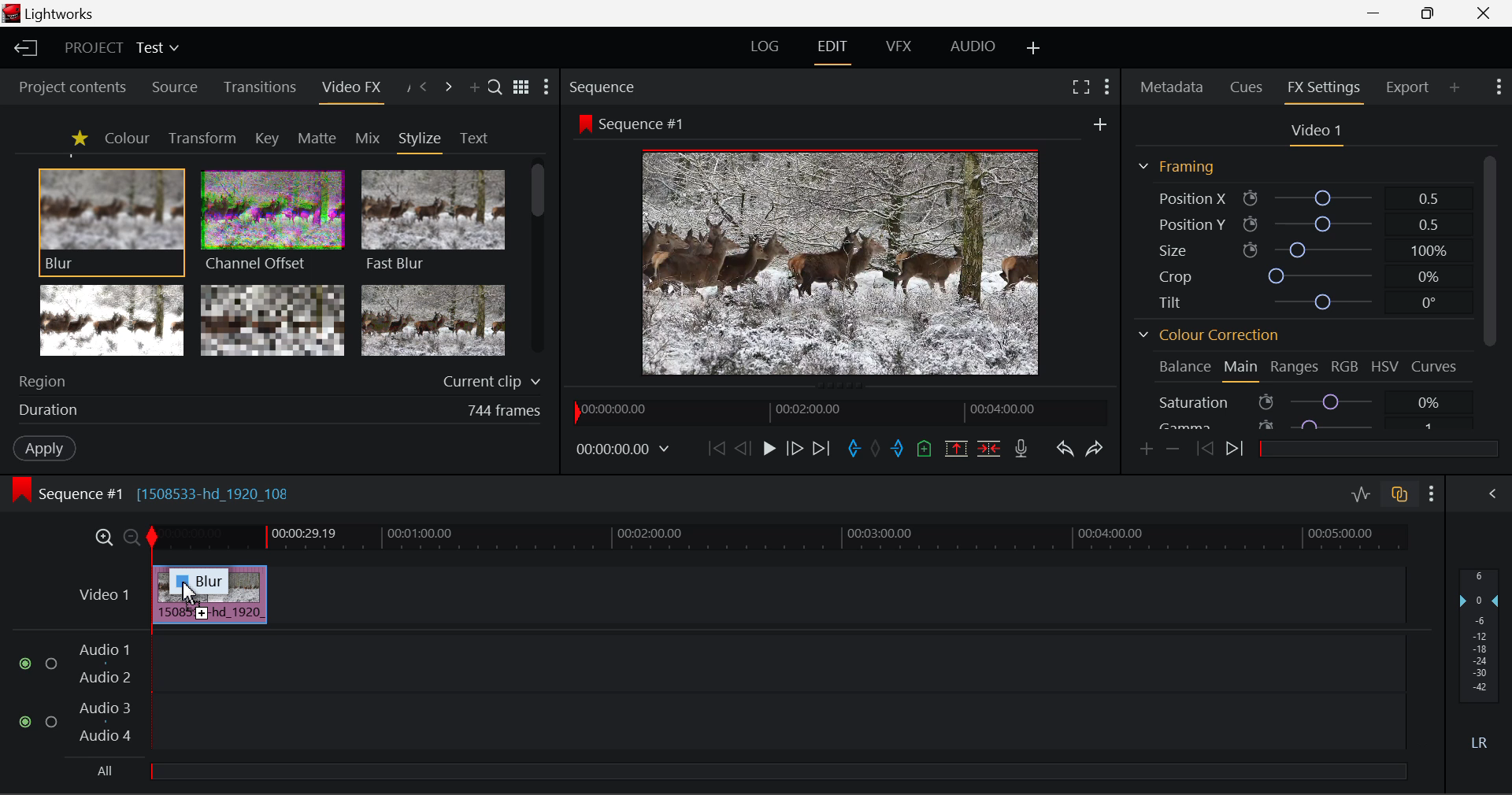 Image resolution: width=1512 pixels, height=795 pixels. What do you see at coordinates (113, 321) in the screenshot?
I see `Glow` at bounding box center [113, 321].